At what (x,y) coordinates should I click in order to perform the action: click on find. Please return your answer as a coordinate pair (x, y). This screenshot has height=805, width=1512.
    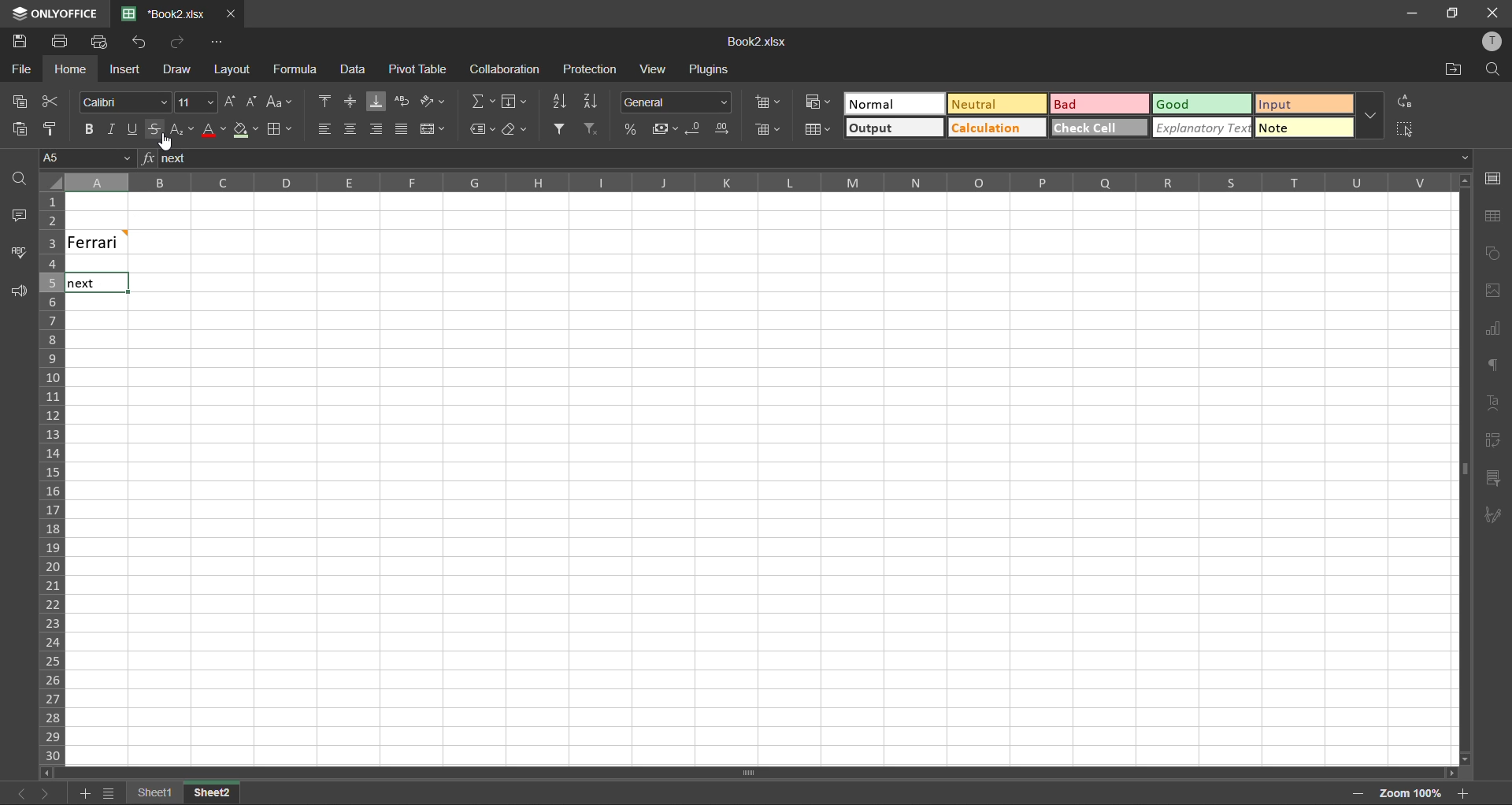
    Looking at the image, I should click on (20, 180).